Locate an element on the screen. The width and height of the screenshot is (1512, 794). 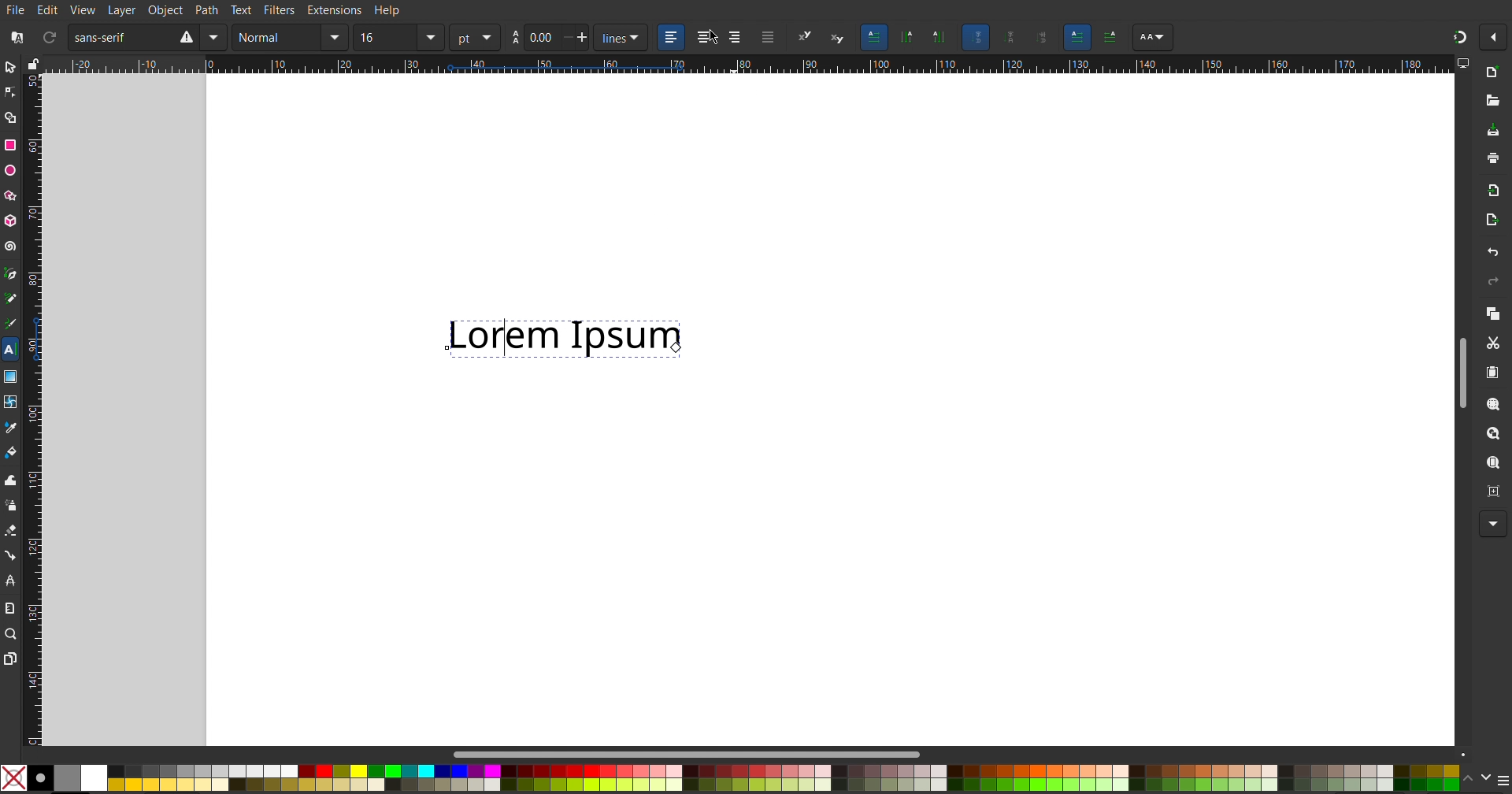
superscript is located at coordinates (807, 39).